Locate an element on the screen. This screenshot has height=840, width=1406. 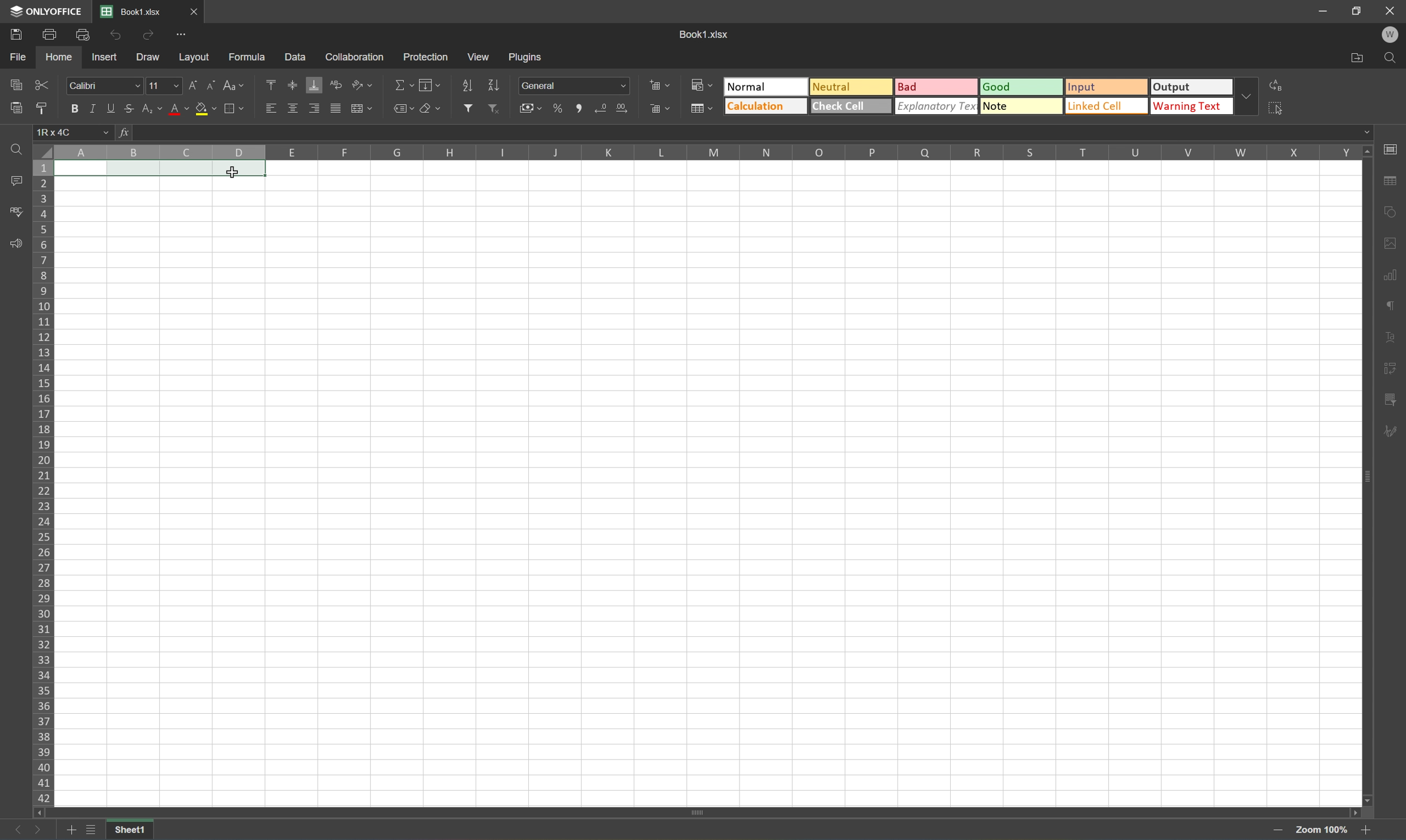
List of sheets is located at coordinates (92, 830).